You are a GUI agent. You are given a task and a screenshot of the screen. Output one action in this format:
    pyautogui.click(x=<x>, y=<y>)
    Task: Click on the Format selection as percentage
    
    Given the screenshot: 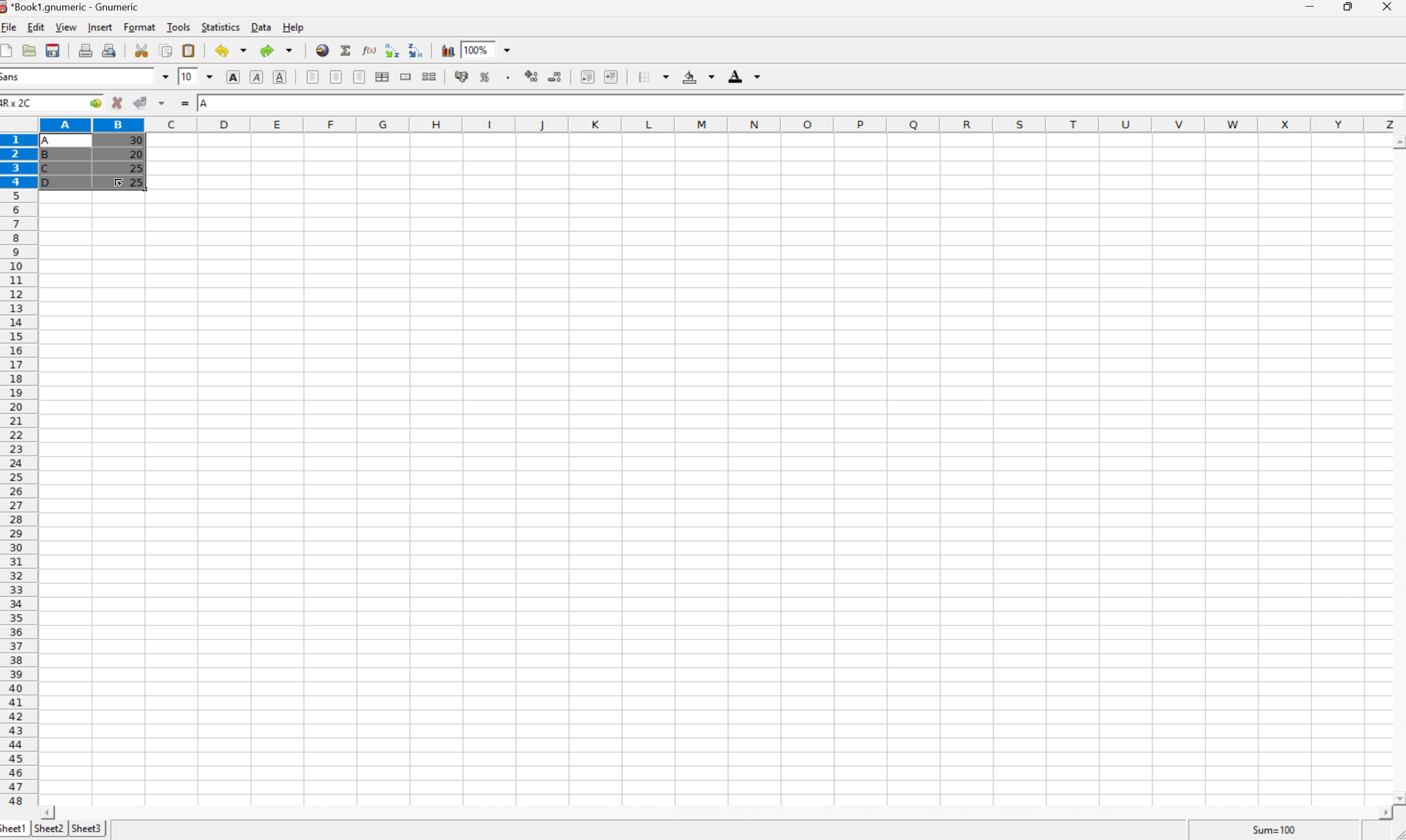 What is the action you would take?
    pyautogui.click(x=486, y=79)
    